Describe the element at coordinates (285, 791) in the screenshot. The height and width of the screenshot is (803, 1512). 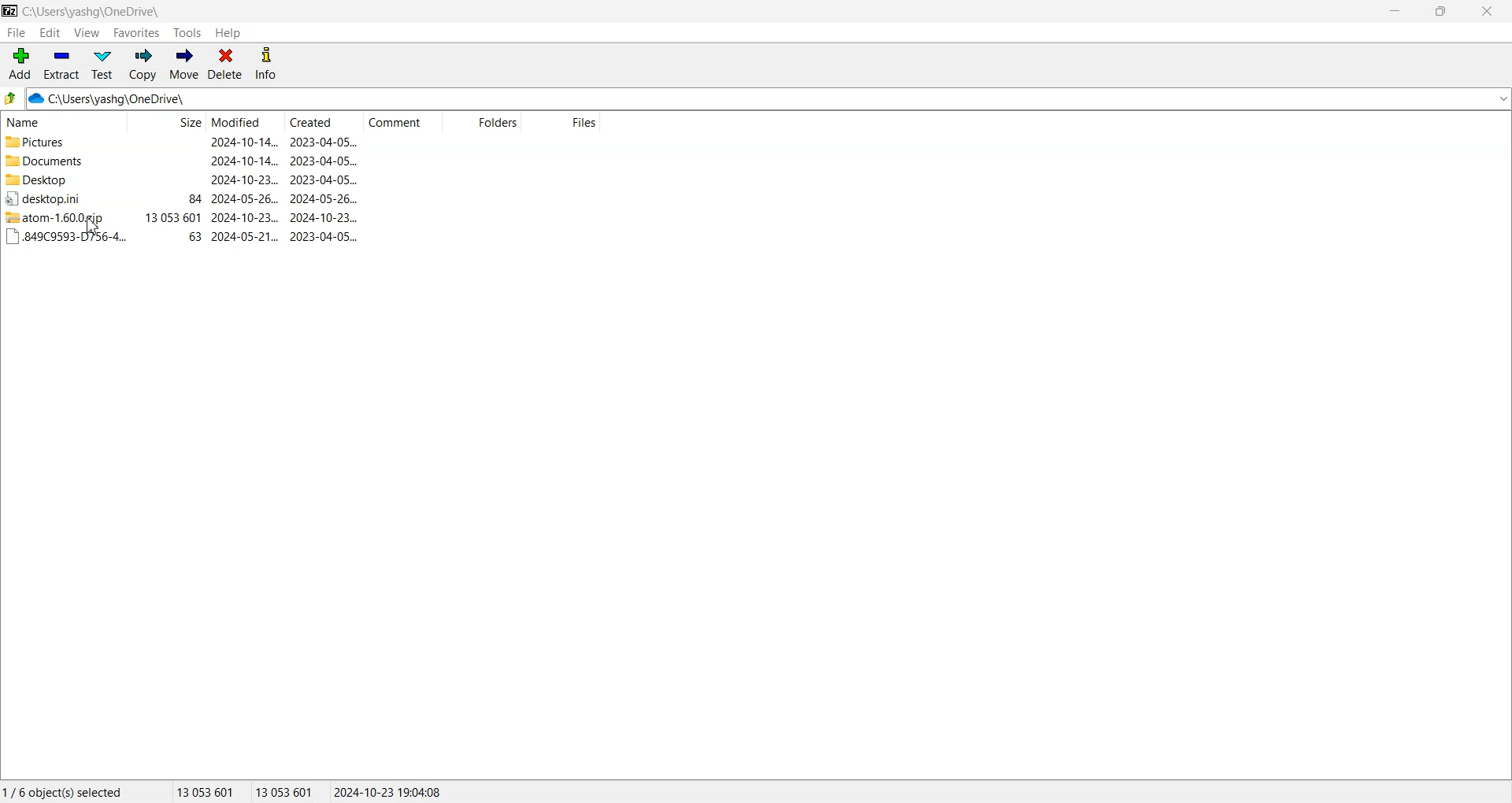
I see `13 053 601` at that location.